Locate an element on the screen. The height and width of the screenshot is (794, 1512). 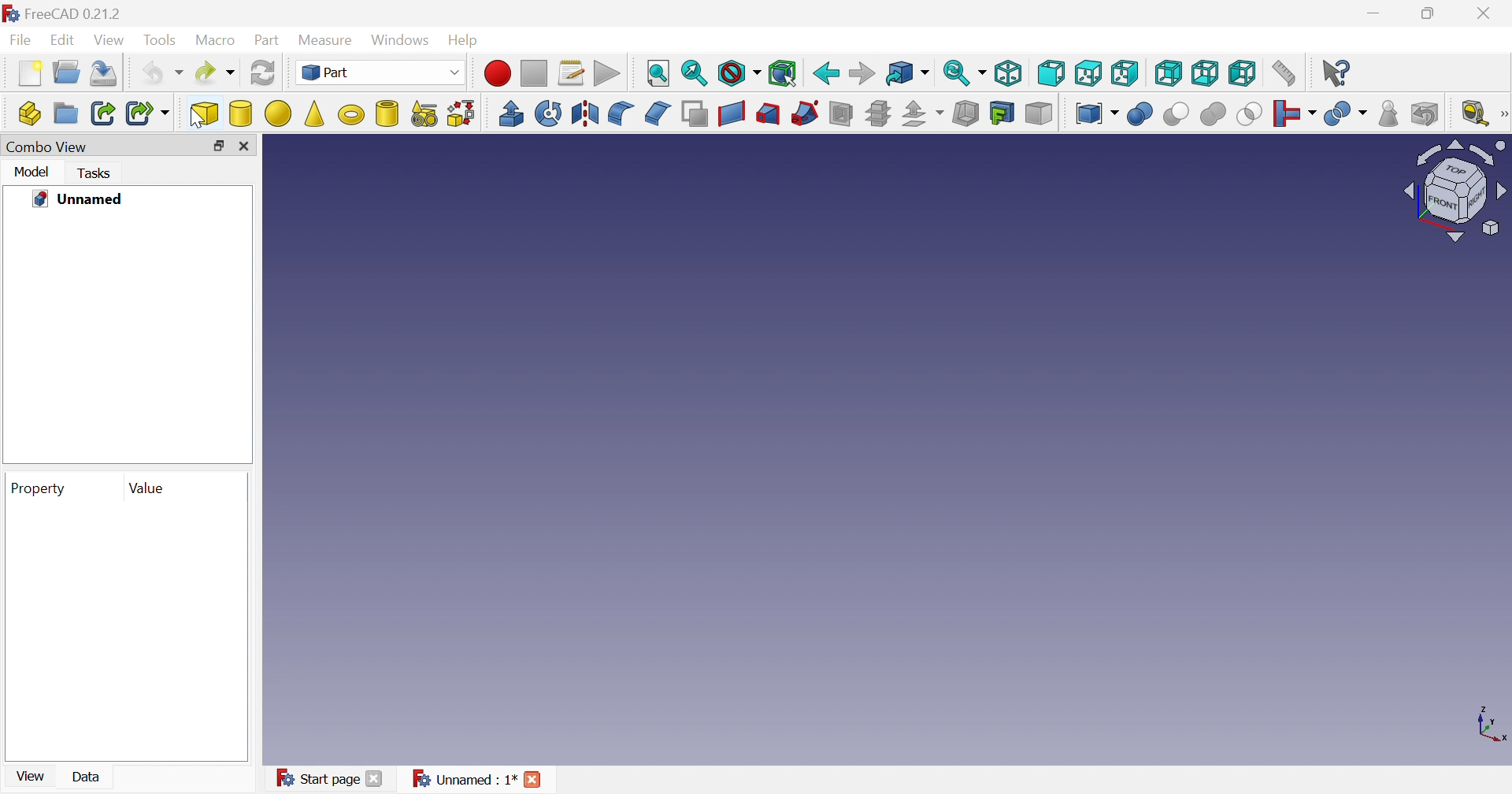
Fillet  is located at coordinates (620, 114).